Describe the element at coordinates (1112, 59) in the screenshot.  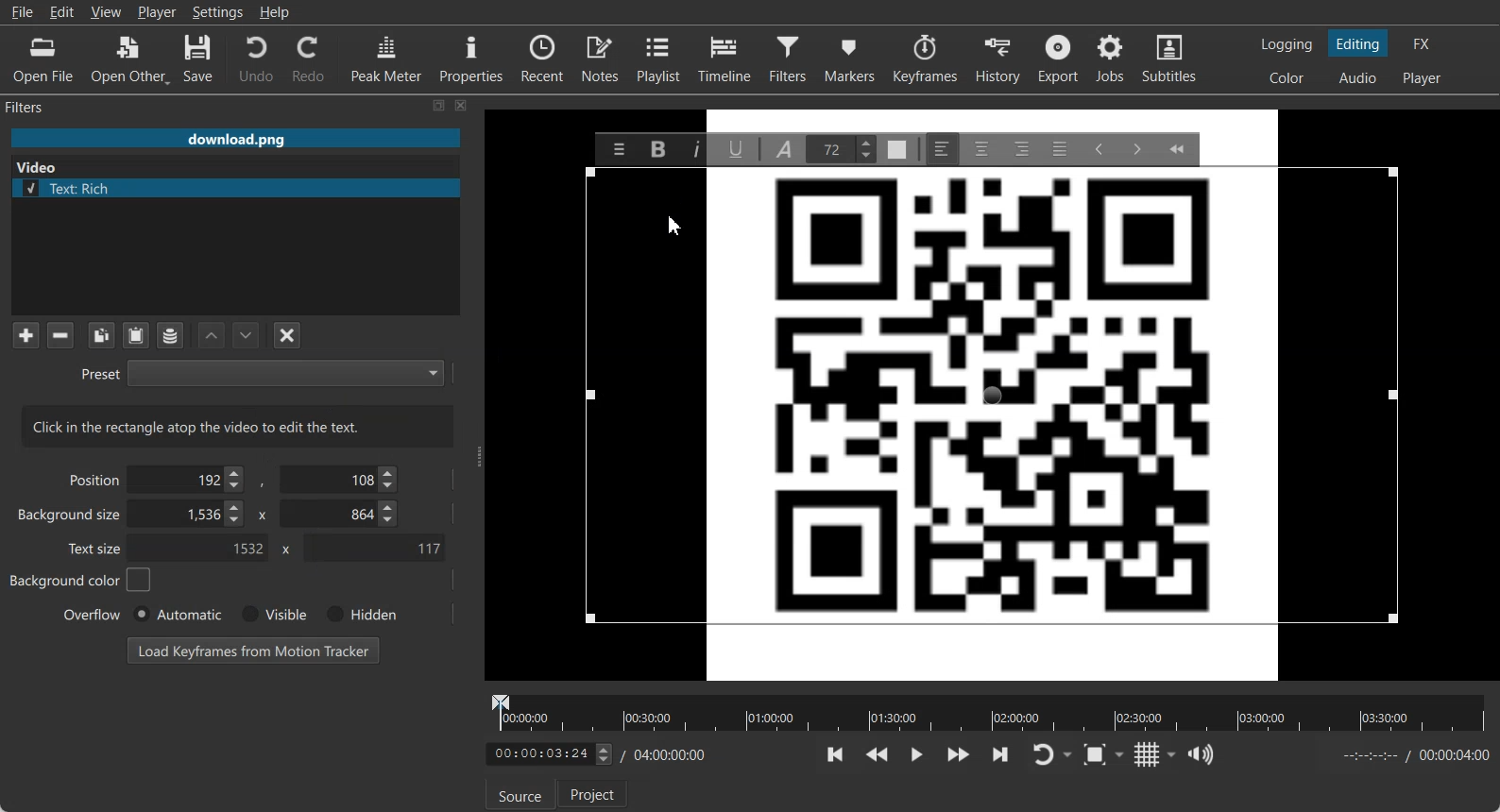
I see `Jobs` at that location.